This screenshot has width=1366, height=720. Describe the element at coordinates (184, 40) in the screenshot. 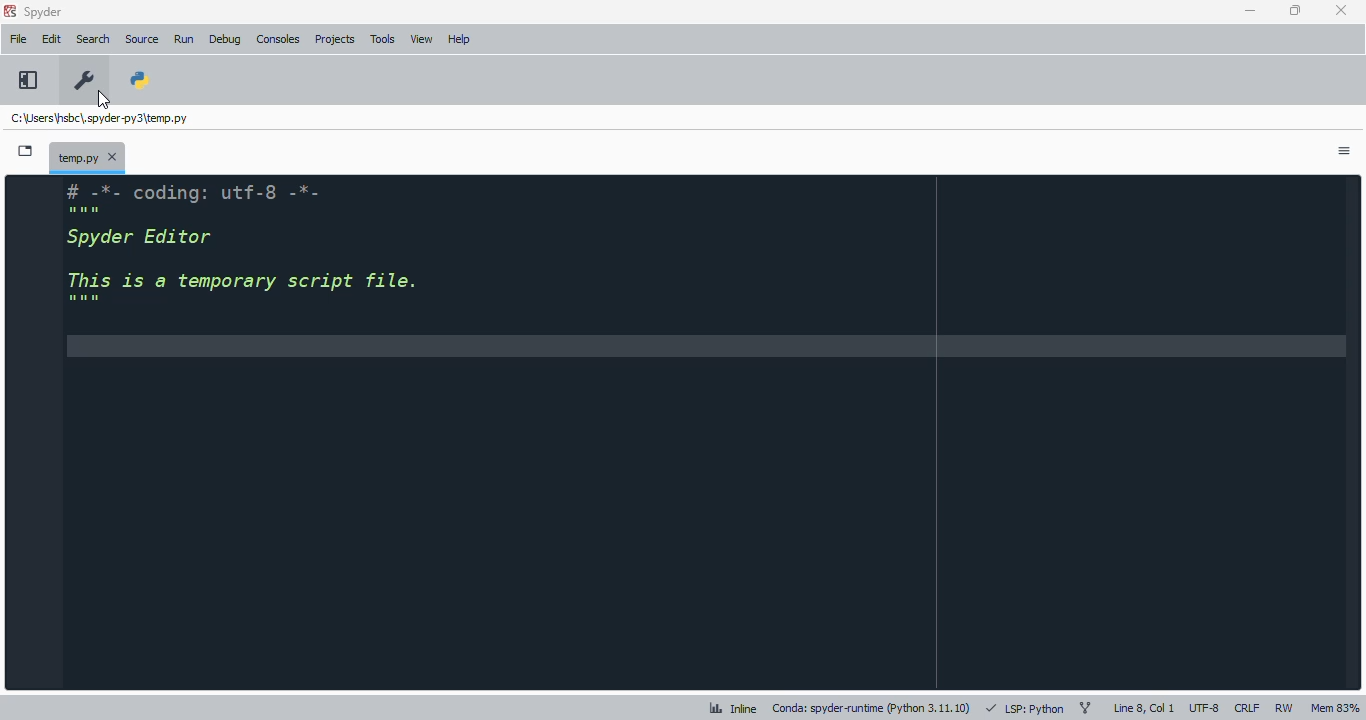

I see `run` at that location.